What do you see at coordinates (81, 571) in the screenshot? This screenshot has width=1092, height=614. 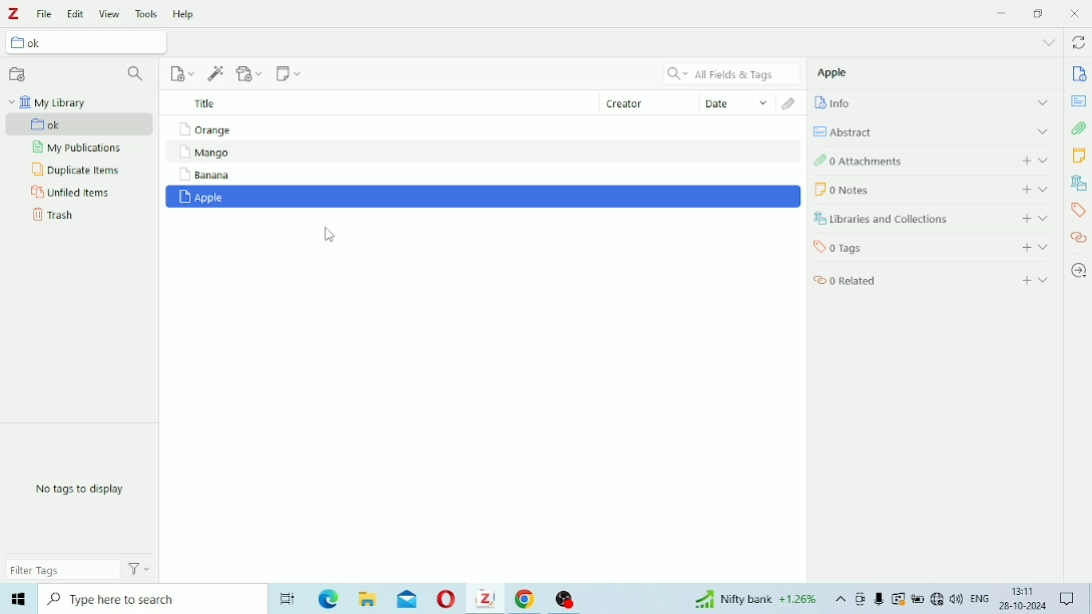 I see `Filter Tags.` at bounding box center [81, 571].